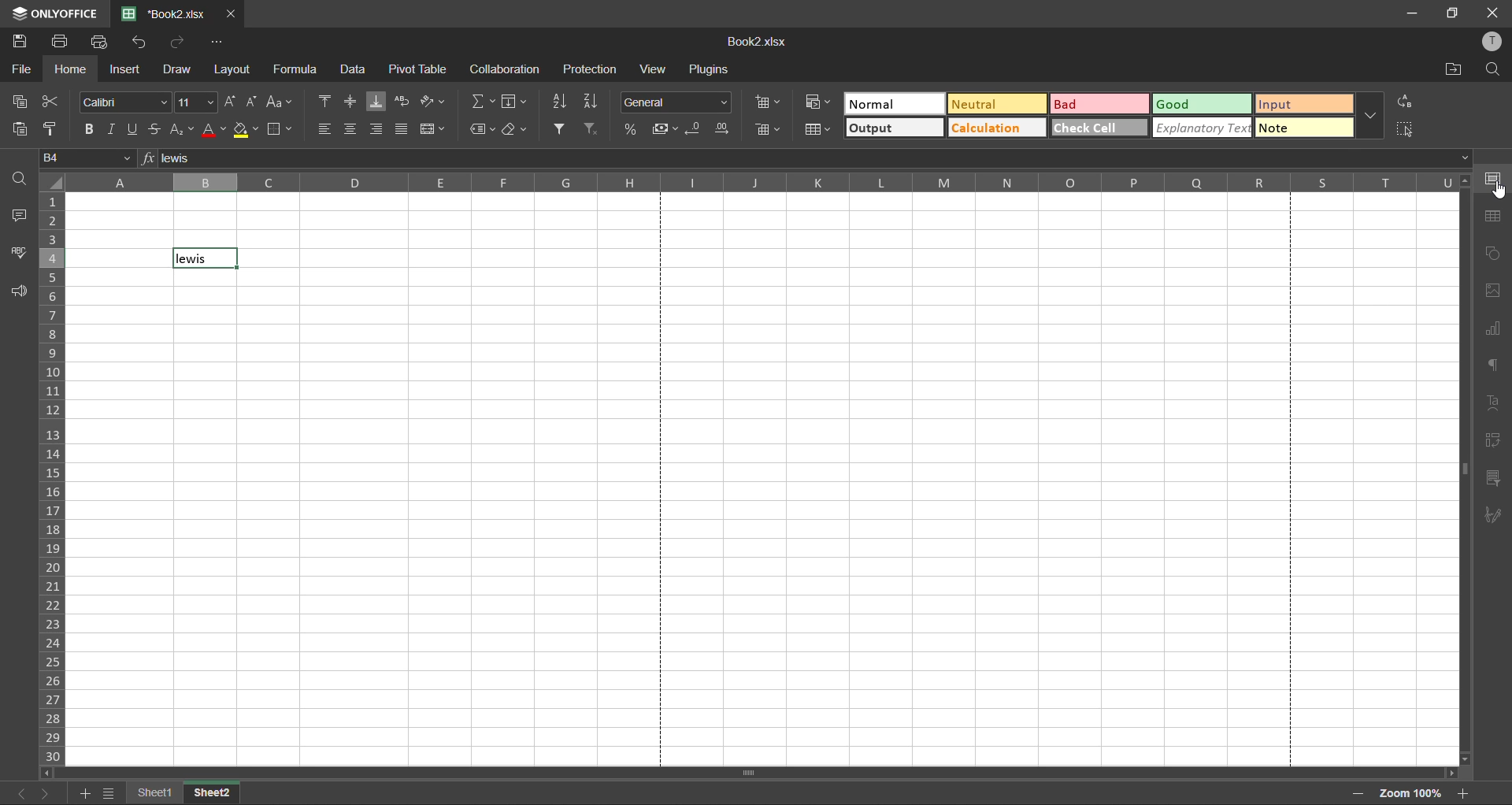  What do you see at coordinates (1497, 180) in the screenshot?
I see `cell settings` at bounding box center [1497, 180].